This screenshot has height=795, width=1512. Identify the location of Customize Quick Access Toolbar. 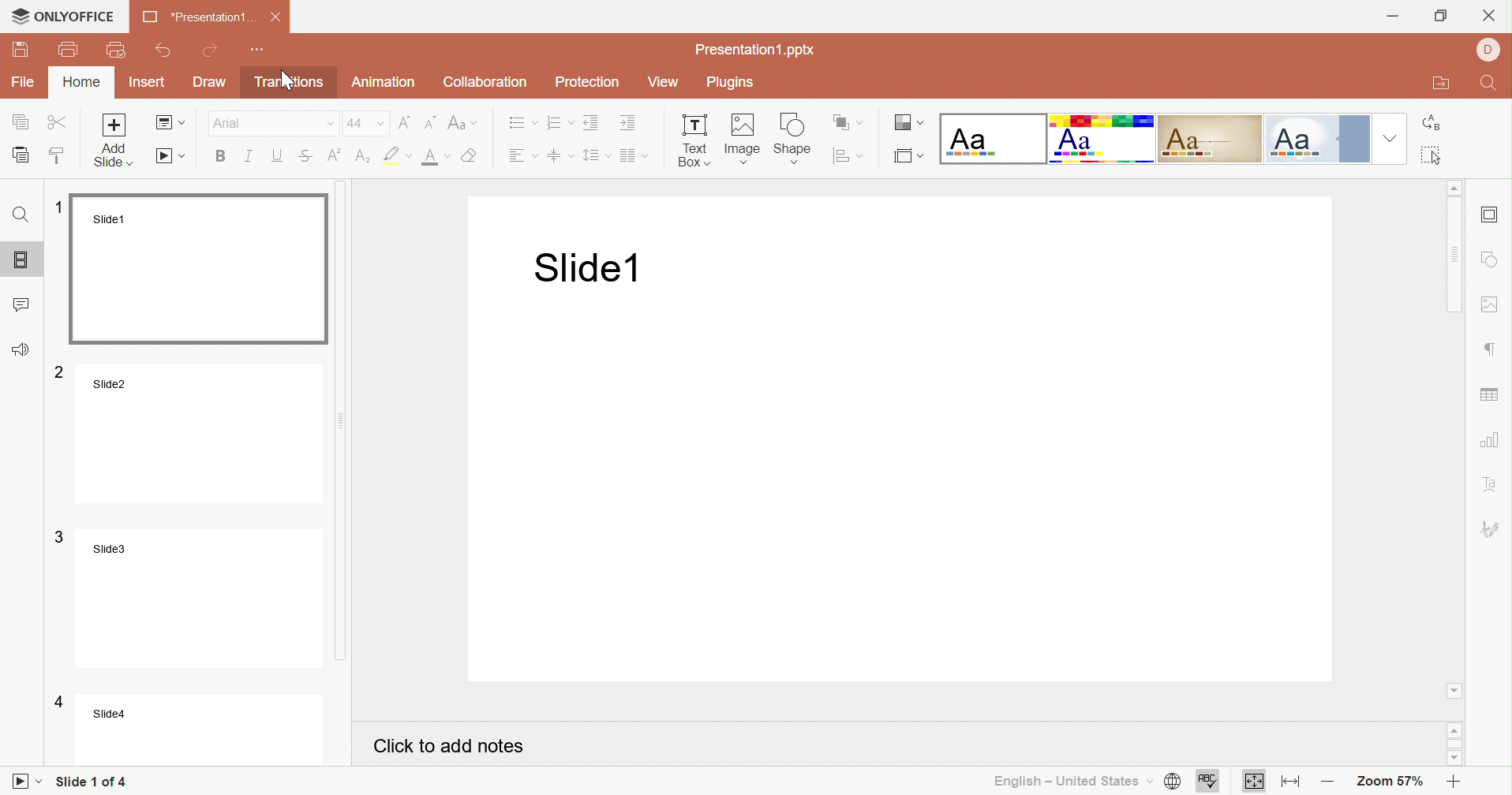
(259, 50).